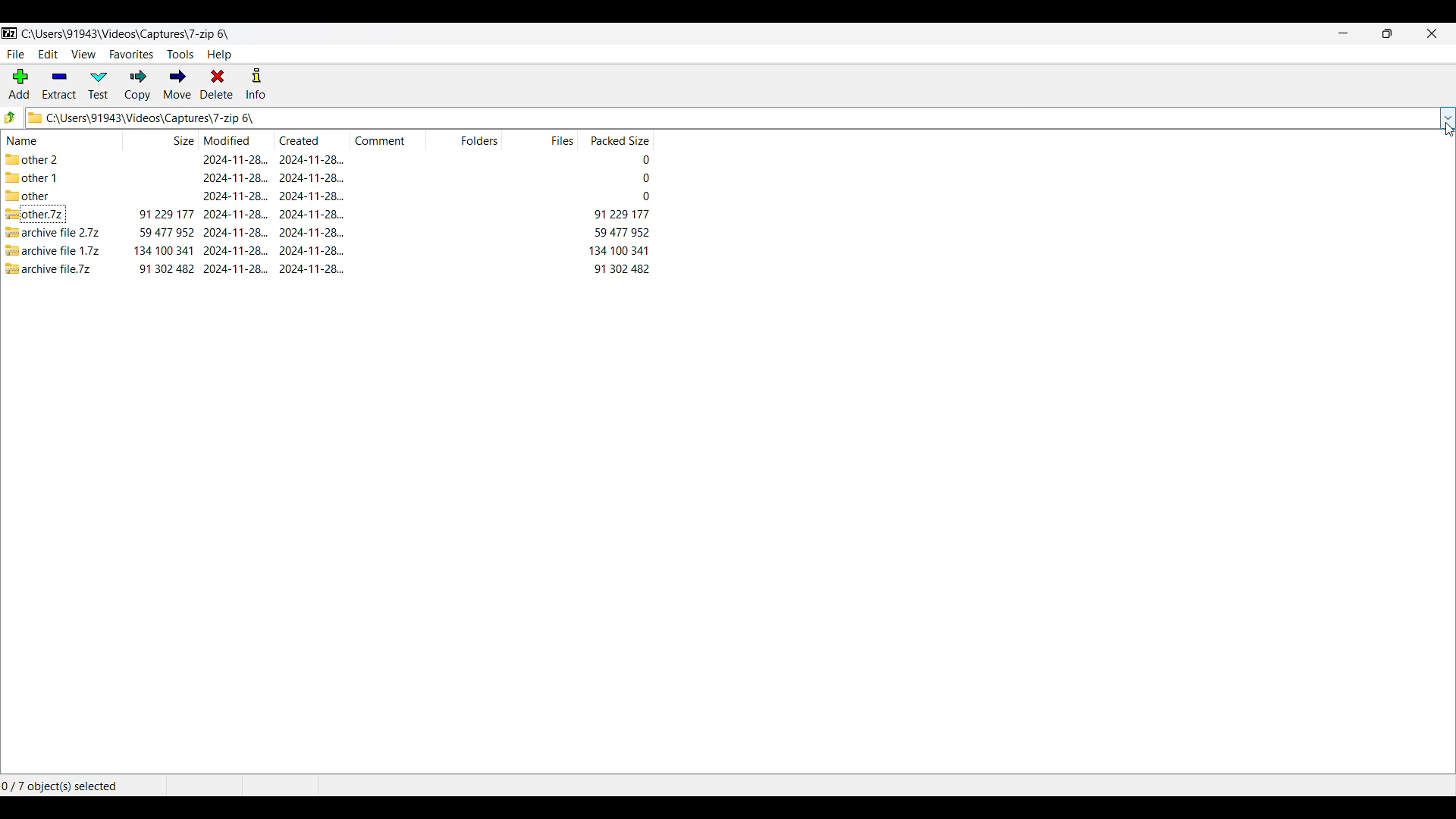 The image size is (1456, 819). I want to click on Add, so click(19, 83).